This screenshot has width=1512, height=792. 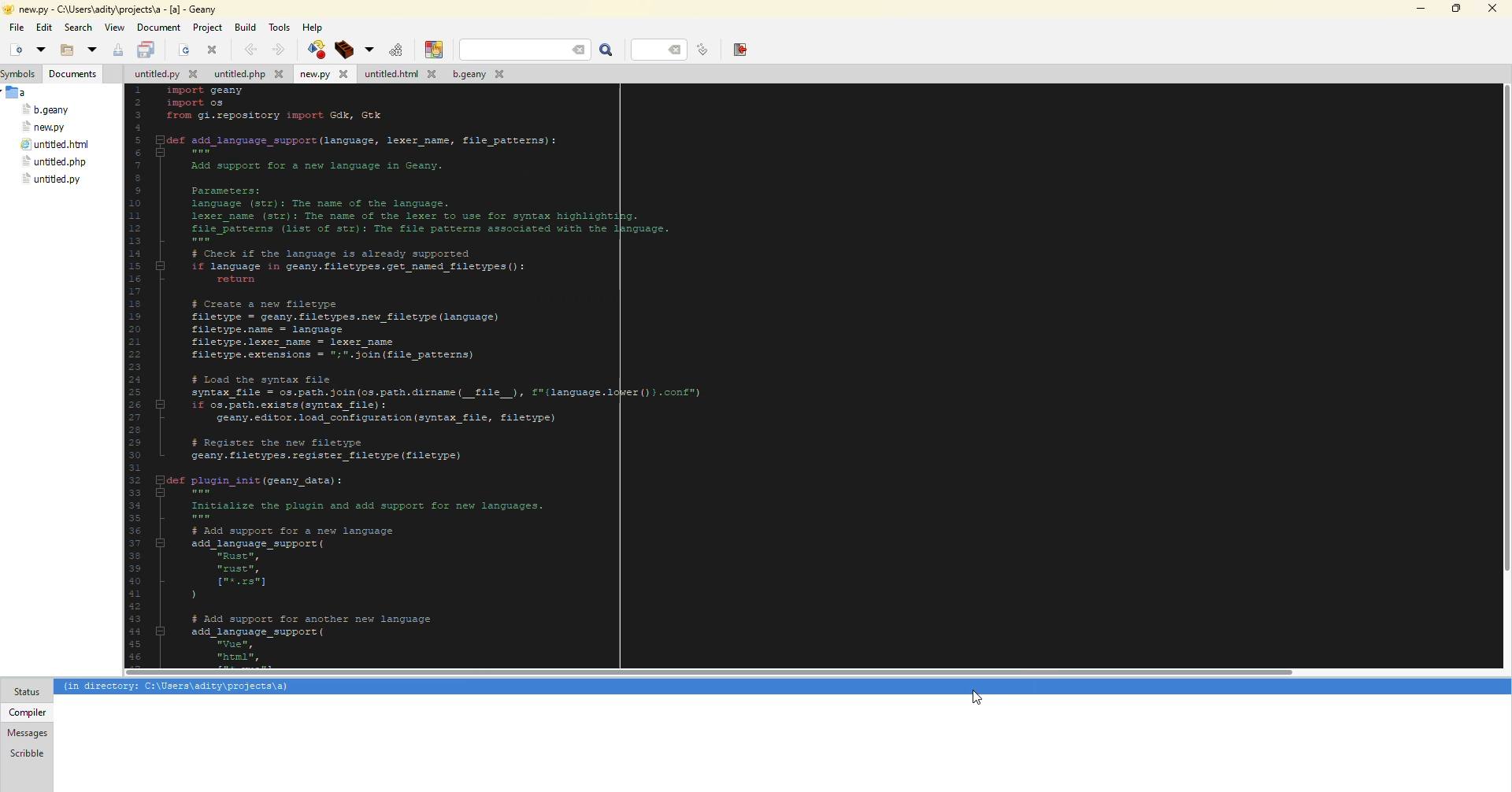 I want to click on close, so click(x=1492, y=9).